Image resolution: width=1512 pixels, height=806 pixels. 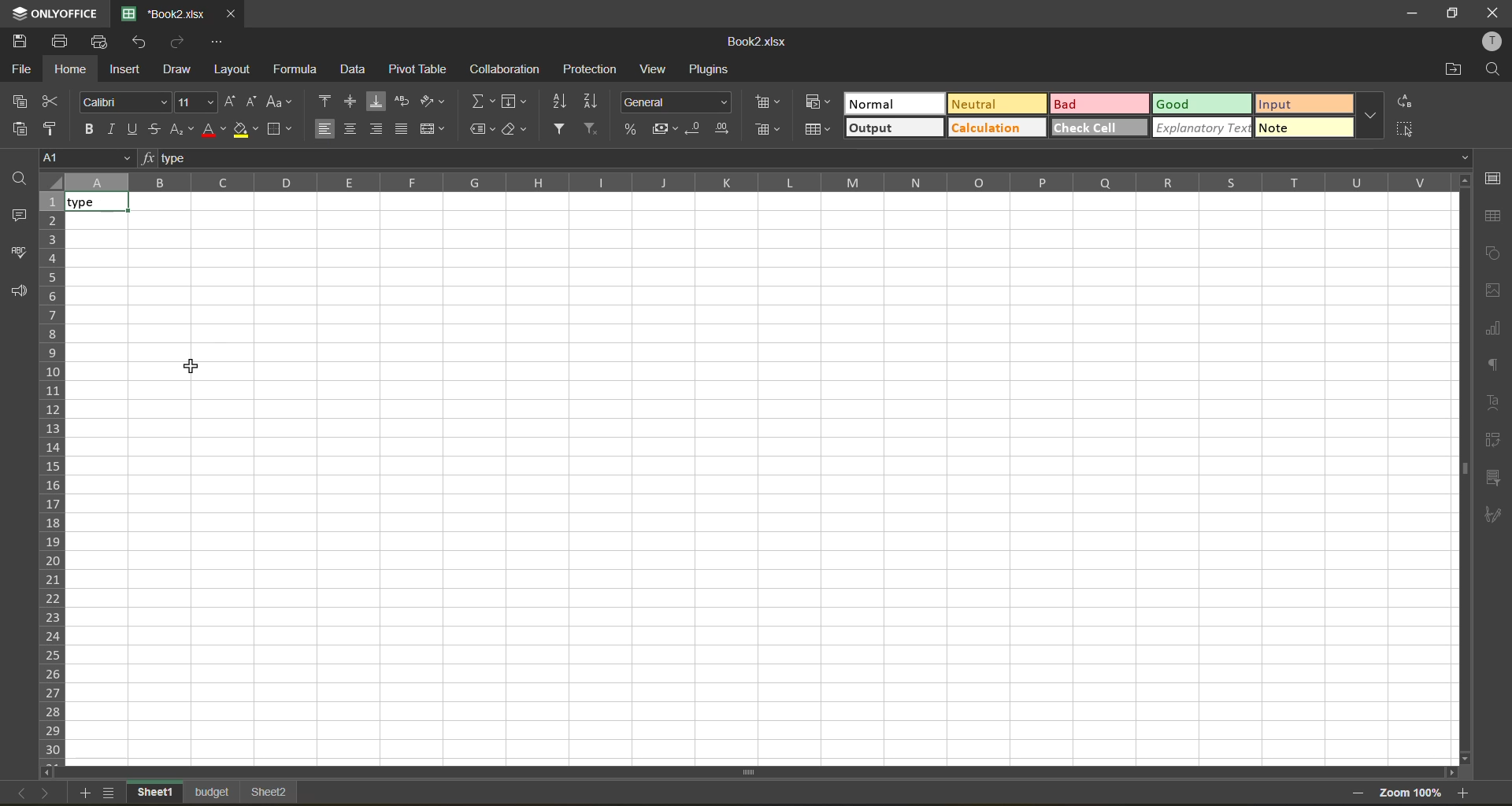 I want to click on change case, so click(x=279, y=103).